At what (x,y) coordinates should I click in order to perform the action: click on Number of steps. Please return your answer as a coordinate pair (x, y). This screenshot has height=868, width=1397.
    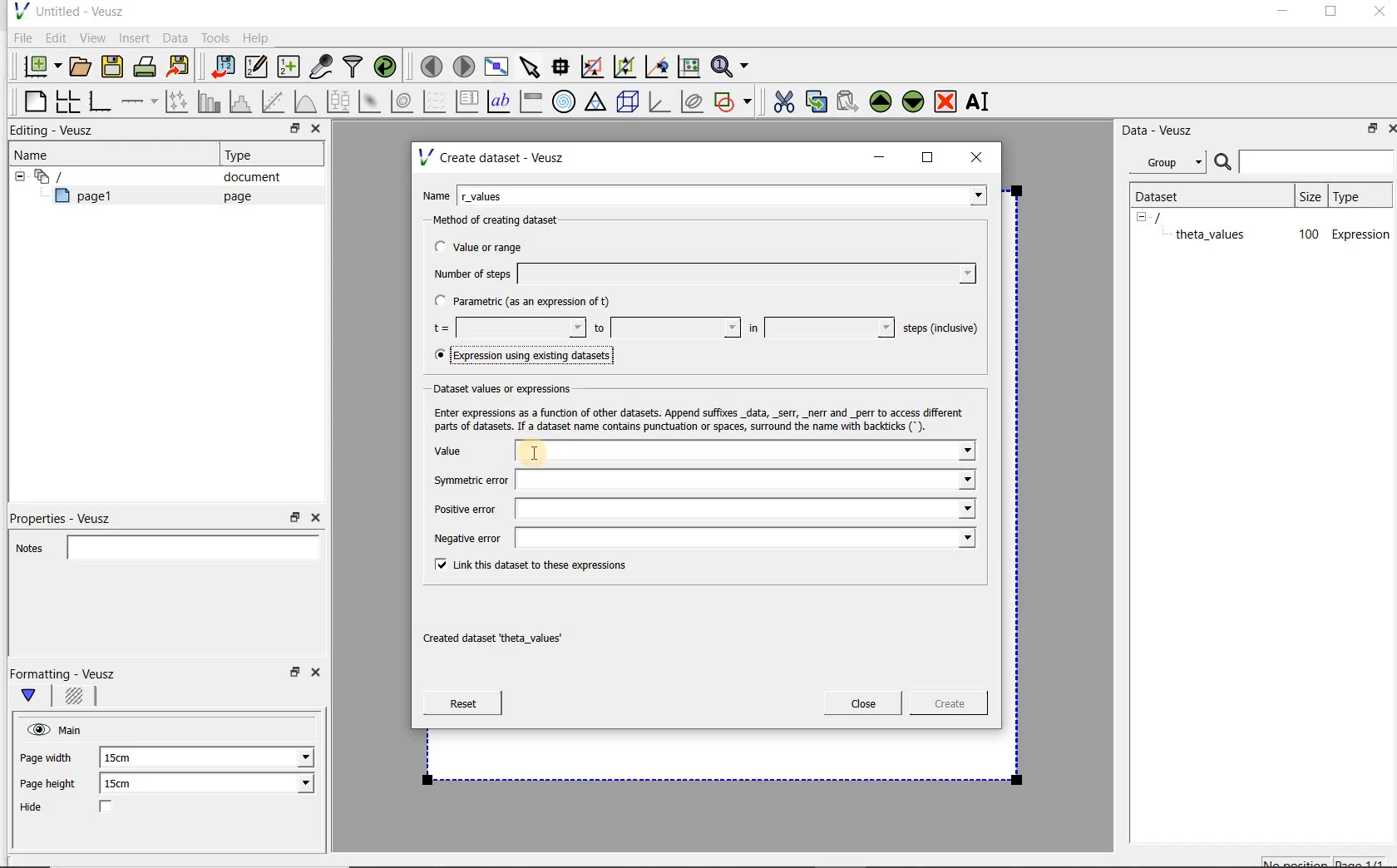
    Looking at the image, I should click on (699, 274).